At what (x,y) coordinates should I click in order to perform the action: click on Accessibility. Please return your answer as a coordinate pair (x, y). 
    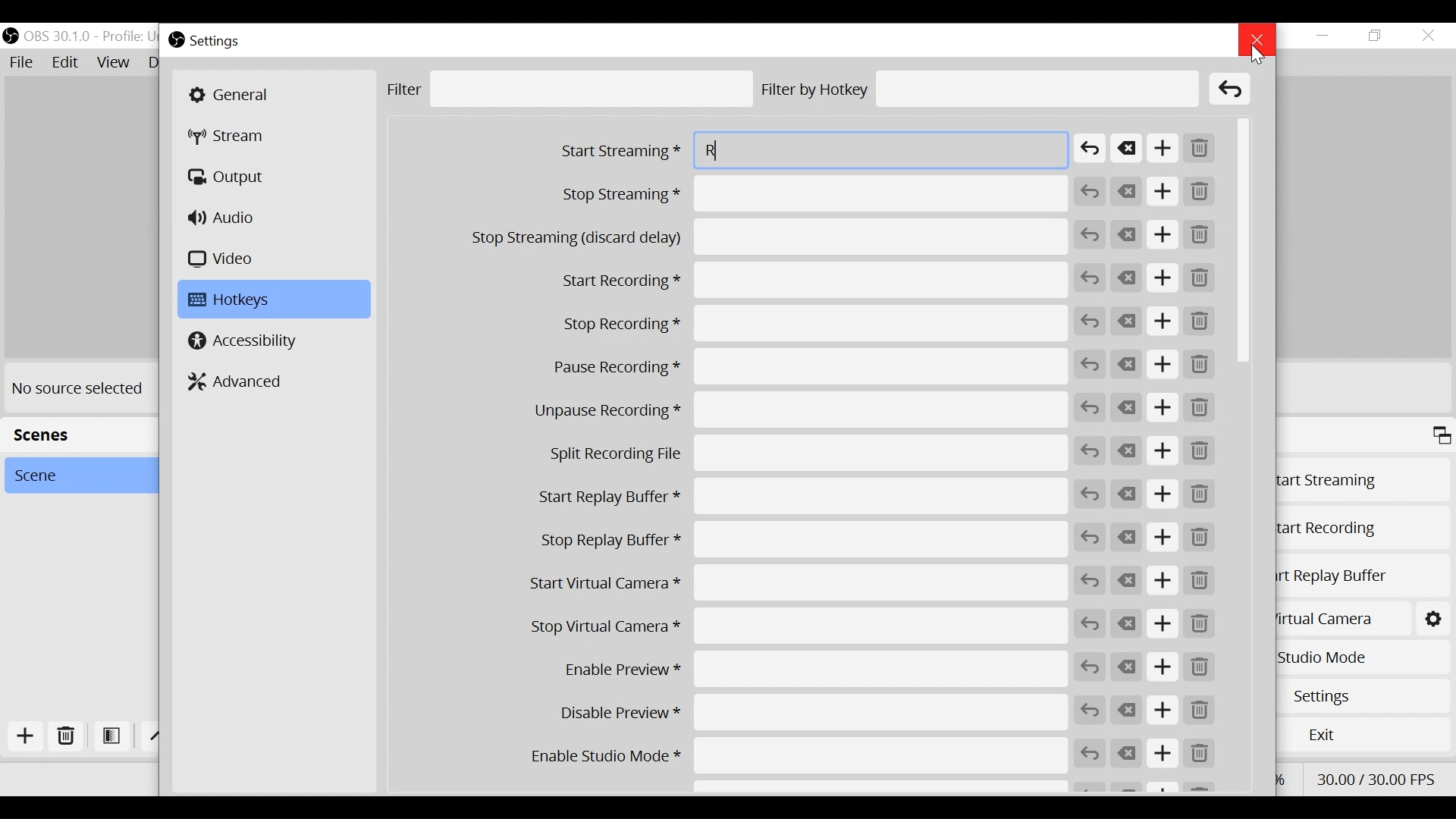
    Looking at the image, I should click on (244, 341).